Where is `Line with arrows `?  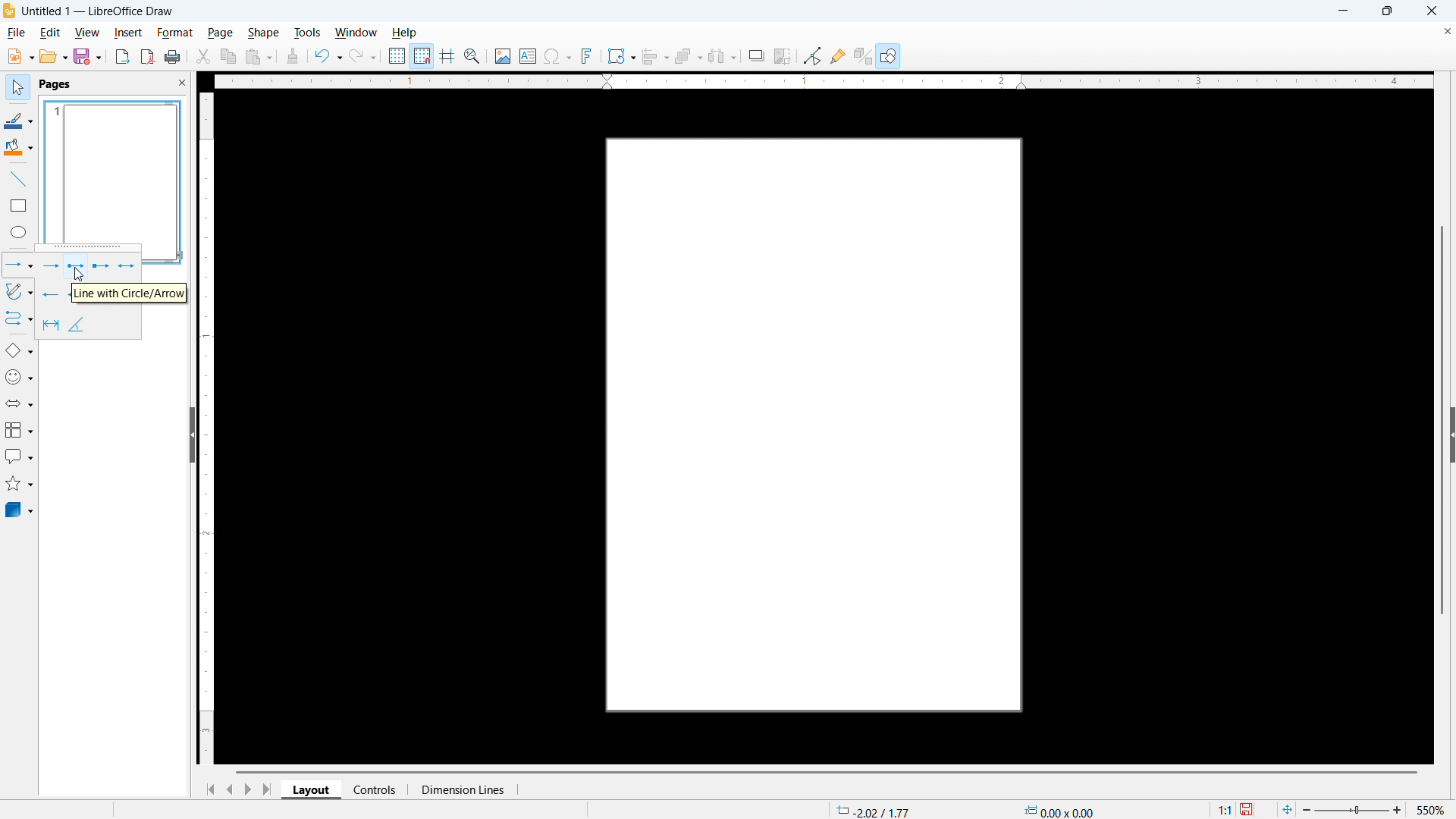
Line with arrows  is located at coordinates (127, 266).